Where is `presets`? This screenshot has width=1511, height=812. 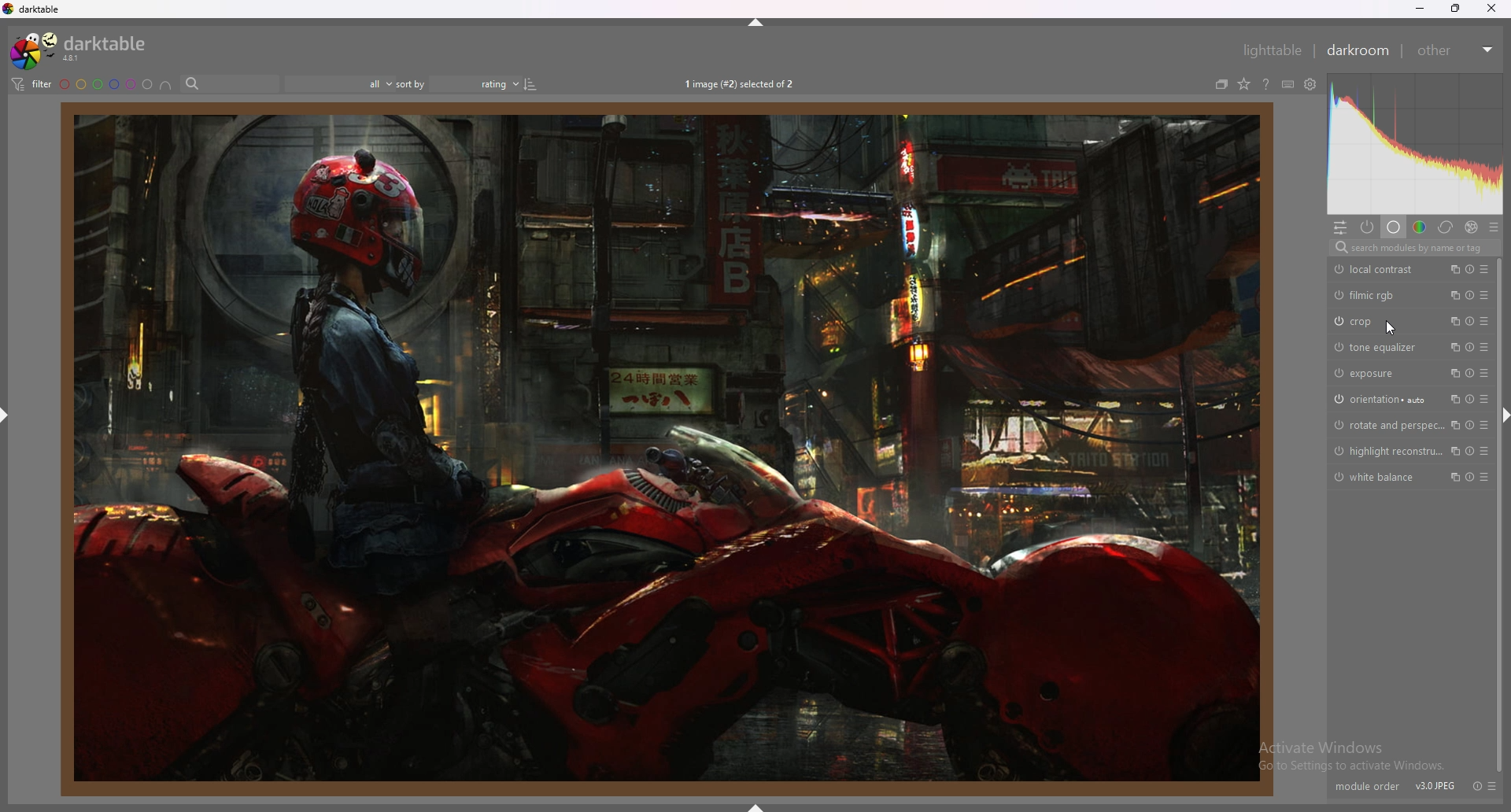
presets is located at coordinates (1484, 295).